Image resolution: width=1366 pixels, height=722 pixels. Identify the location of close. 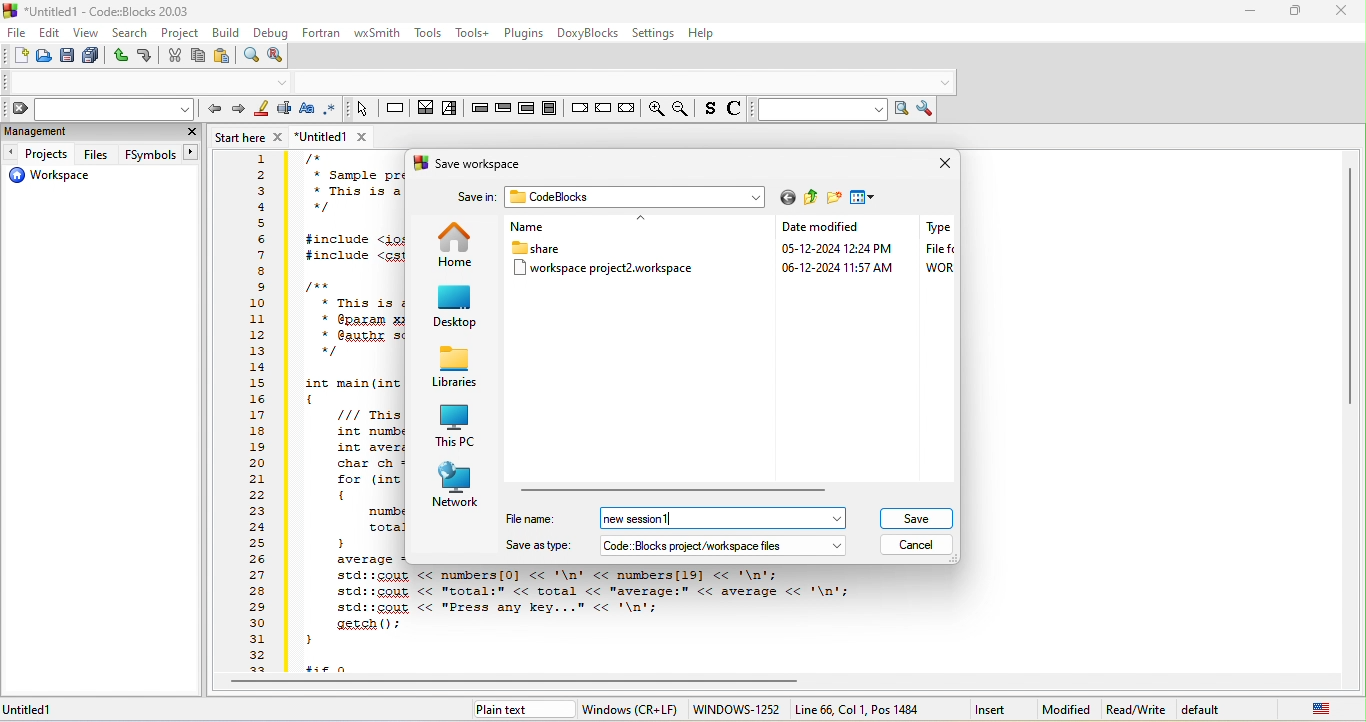
(188, 131).